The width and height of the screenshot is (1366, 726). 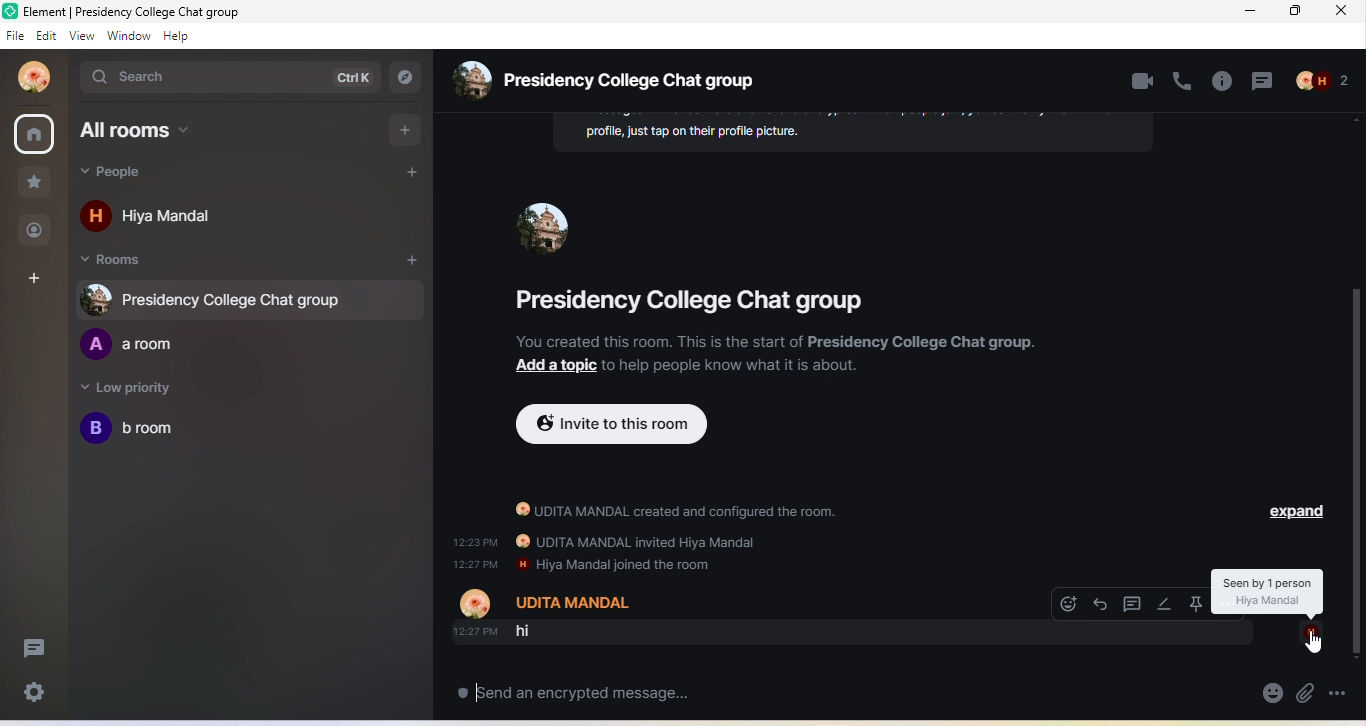 What do you see at coordinates (776, 341) in the screenshot?
I see `you created this room` at bounding box center [776, 341].